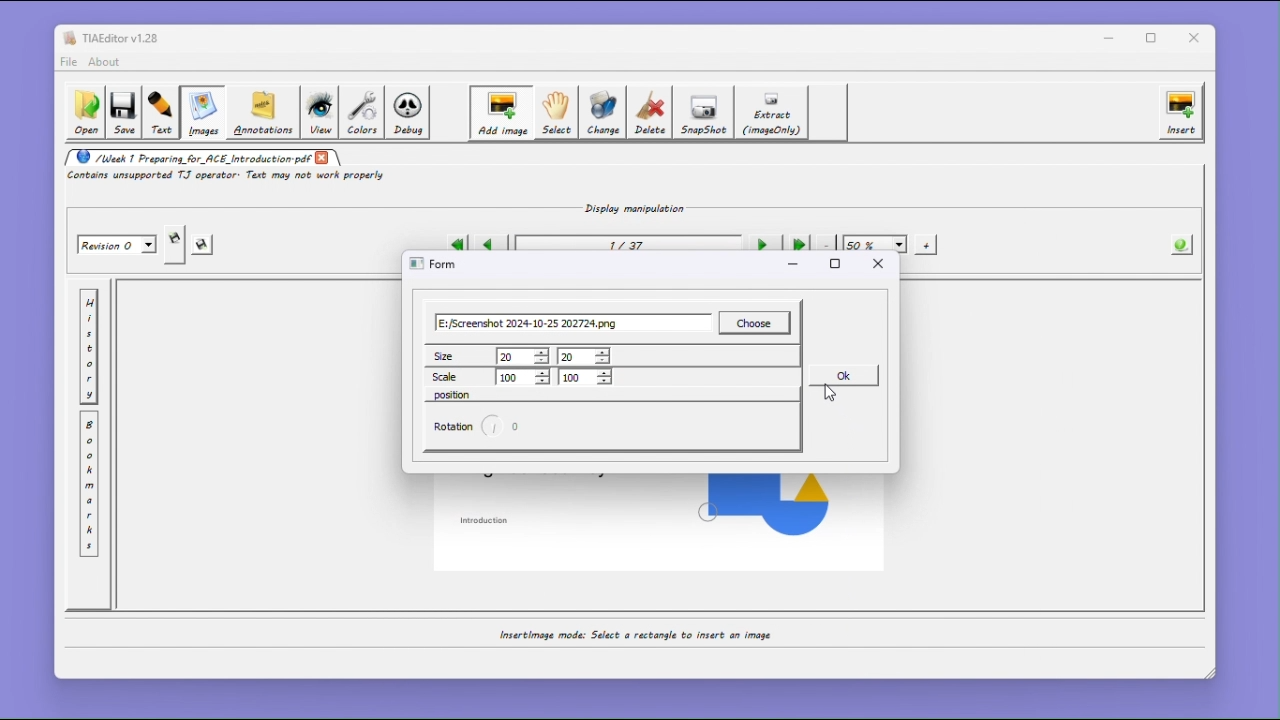 Image resolution: width=1280 pixels, height=720 pixels. What do you see at coordinates (489, 244) in the screenshot?
I see `Previous page` at bounding box center [489, 244].